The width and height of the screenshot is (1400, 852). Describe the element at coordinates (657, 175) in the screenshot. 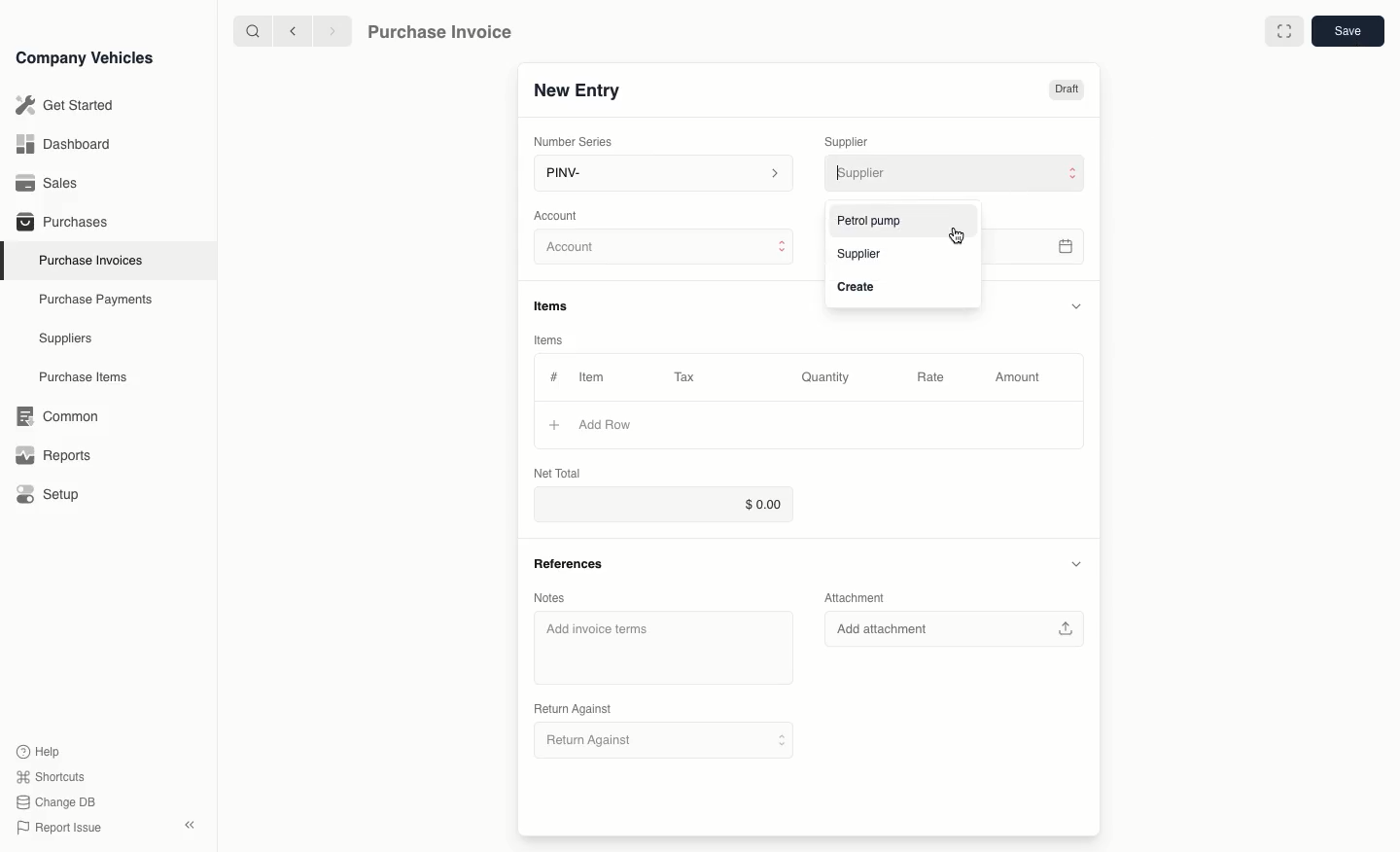

I see `PINV-` at that location.